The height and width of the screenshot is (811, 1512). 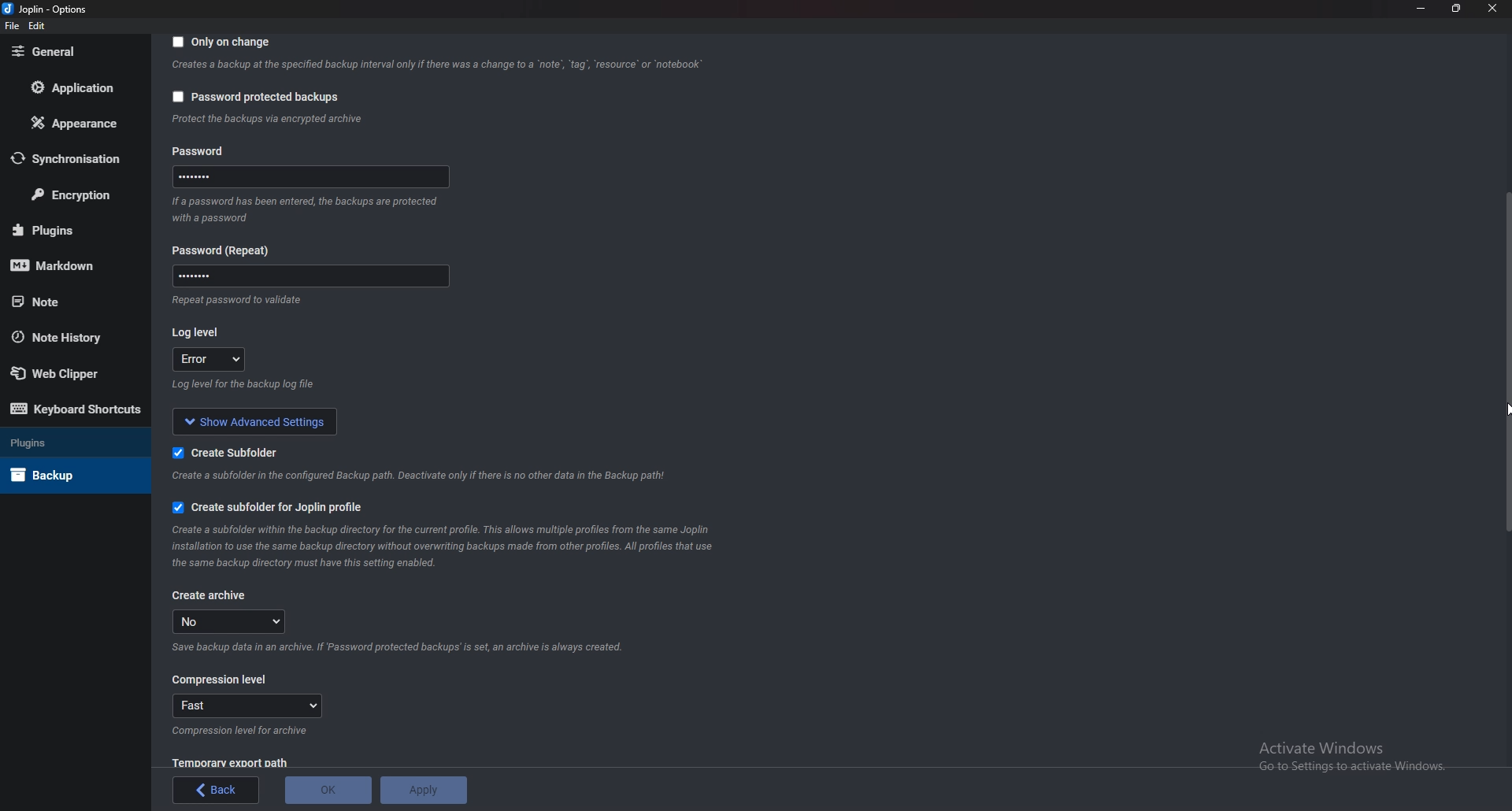 I want to click on Temporary export path, so click(x=229, y=762).